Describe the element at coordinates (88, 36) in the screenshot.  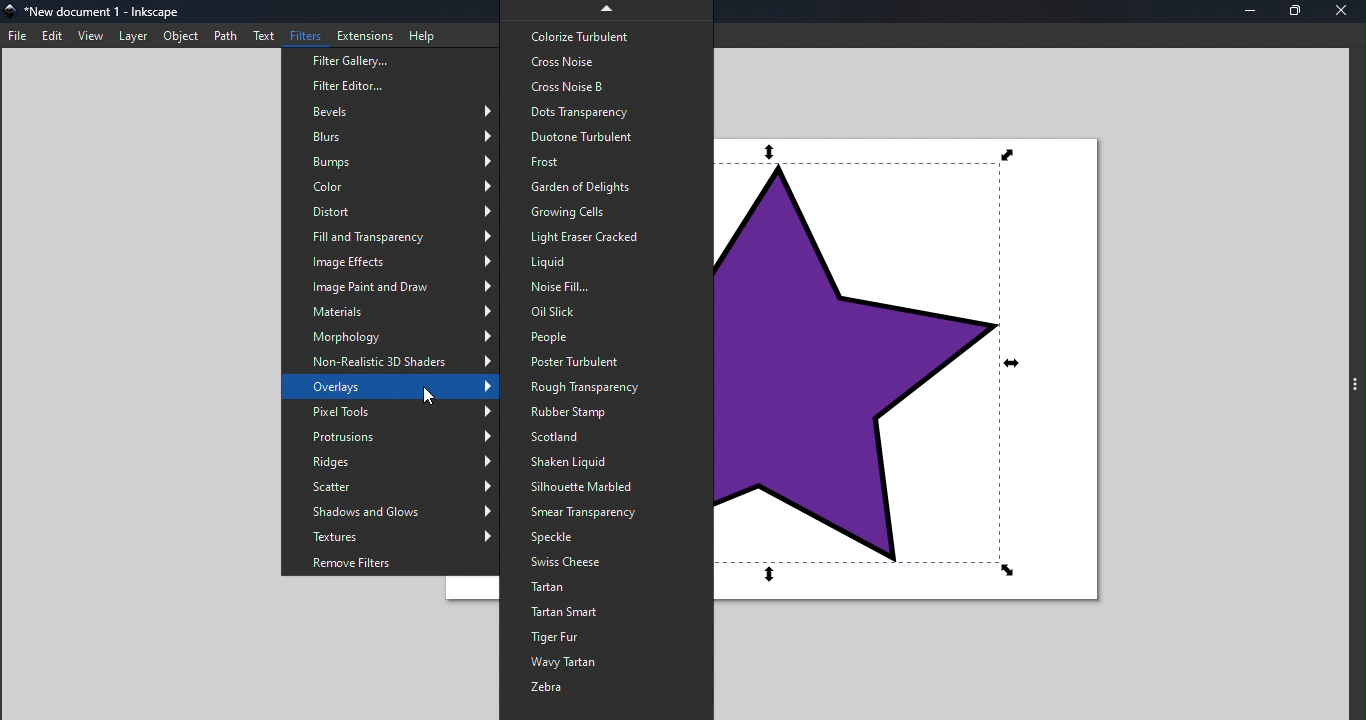
I see `View` at that location.